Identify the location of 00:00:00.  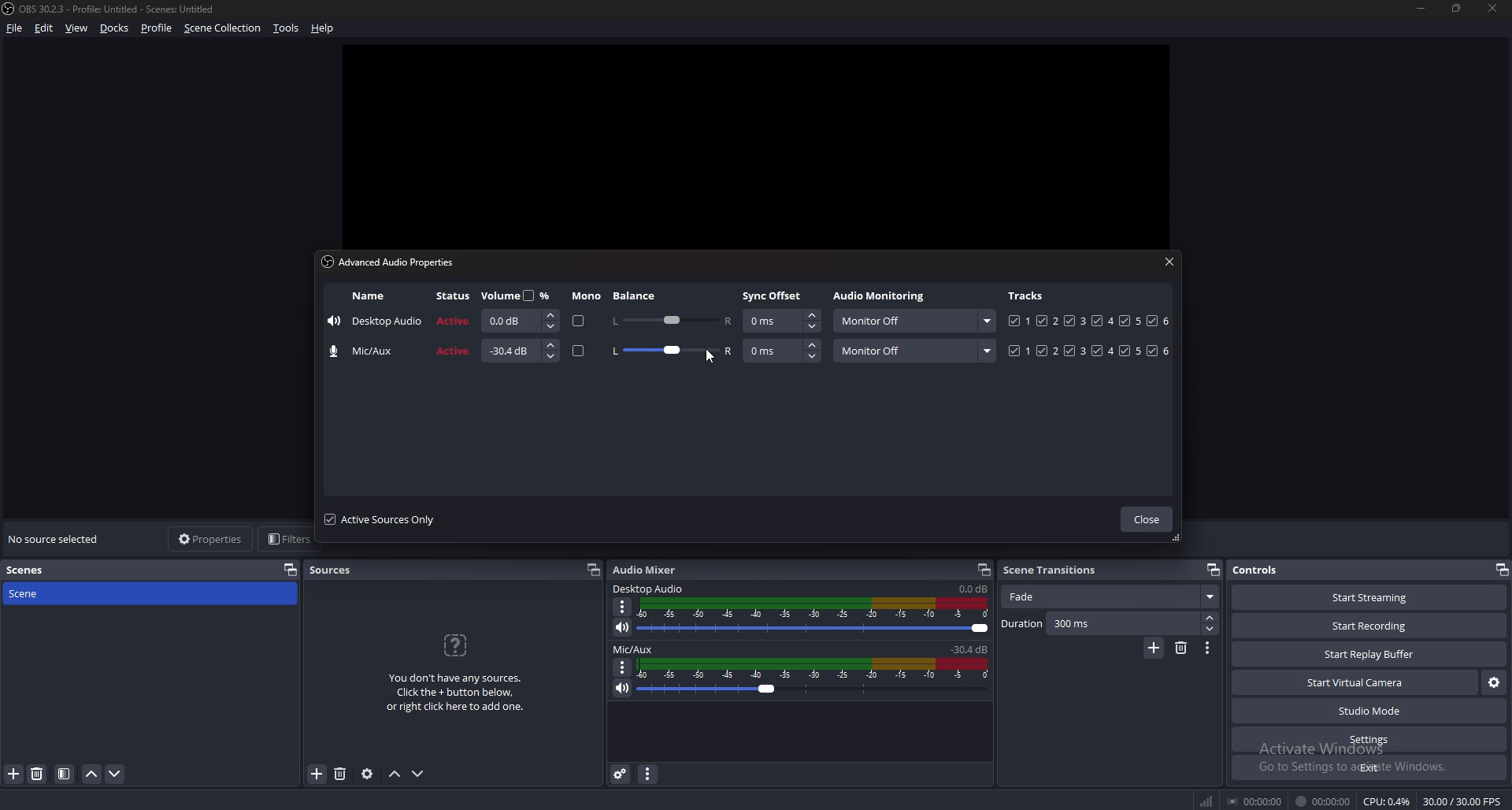
(1255, 801).